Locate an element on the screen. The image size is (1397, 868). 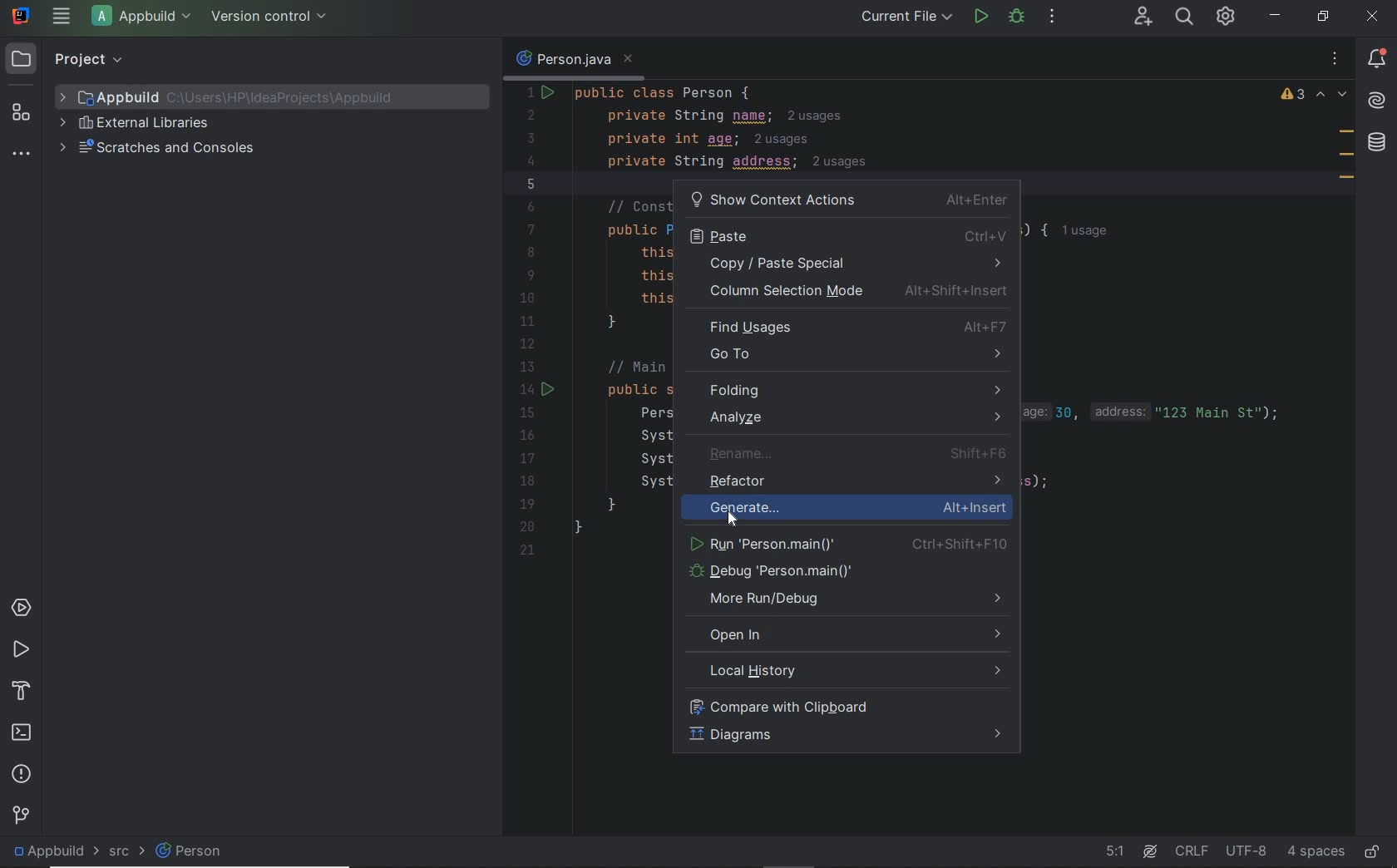
file encoding is located at coordinates (1247, 851).